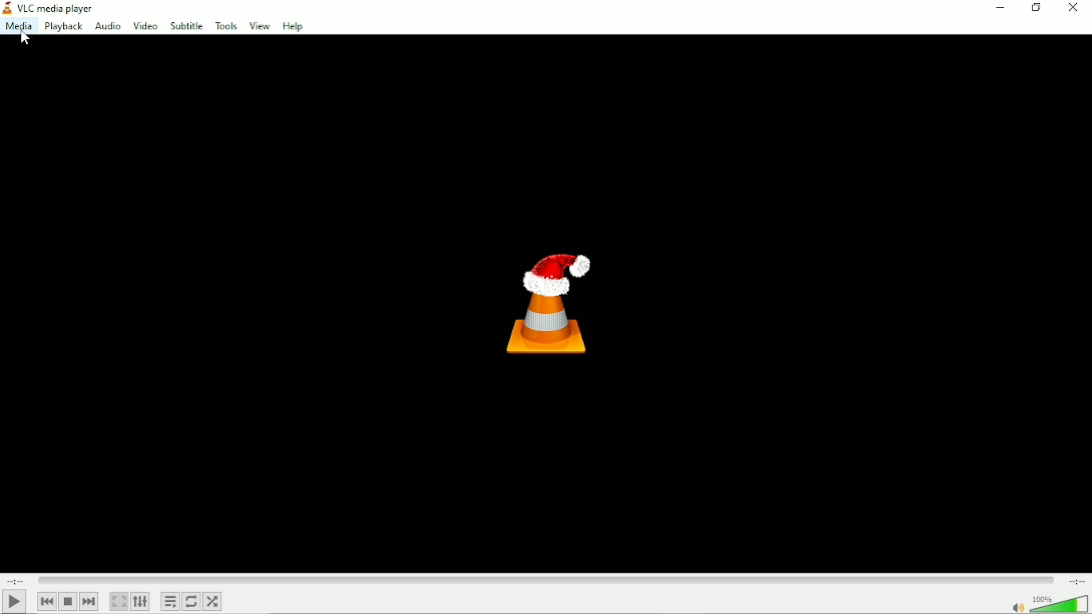 This screenshot has width=1092, height=614. What do you see at coordinates (108, 26) in the screenshot?
I see `Audio` at bounding box center [108, 26].